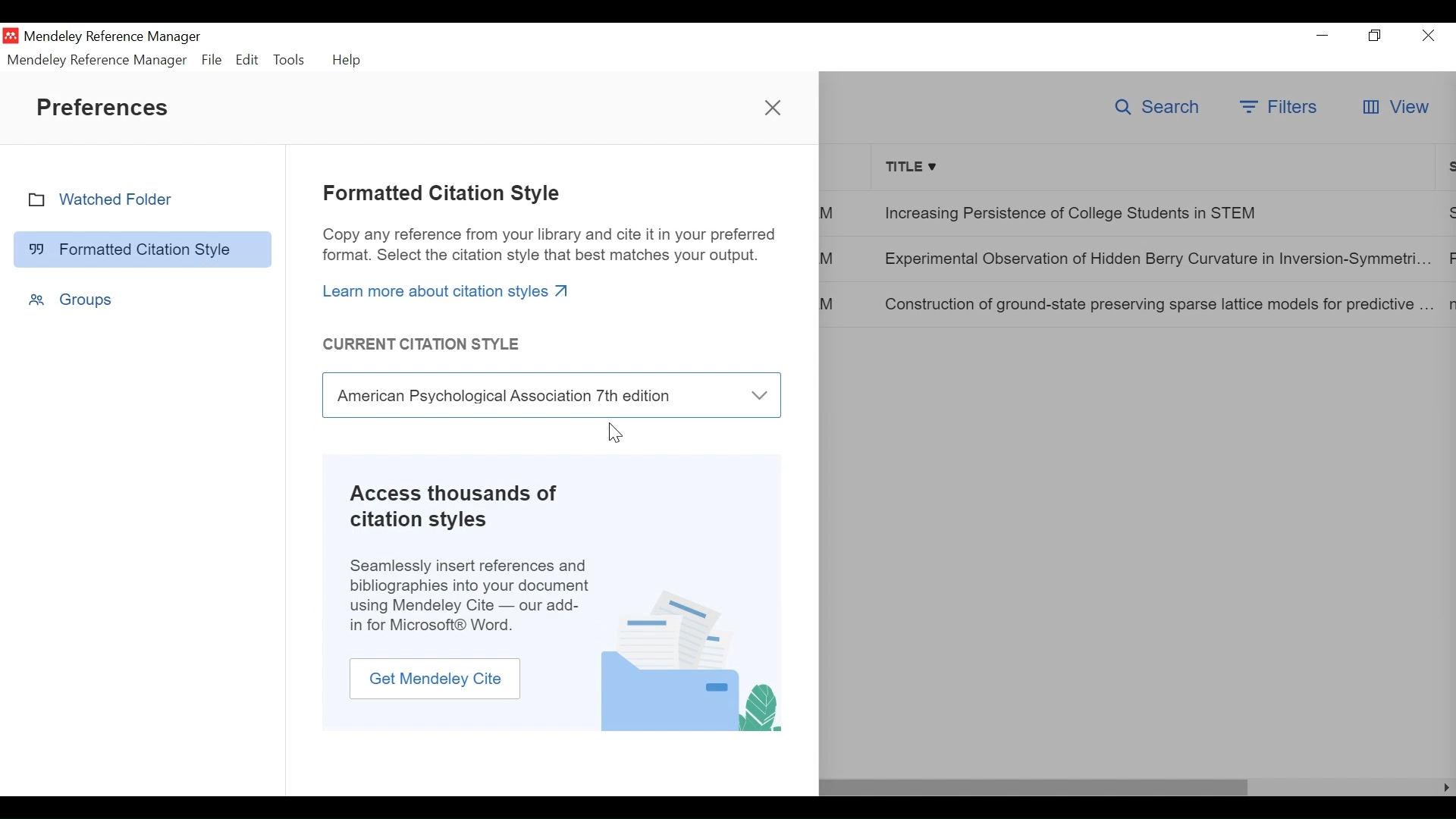 This screenshot has height=819, width=1456. Describe the element at coordinates (447, 290) in the screenshot. I see `Learn more about citation styles` at that location.